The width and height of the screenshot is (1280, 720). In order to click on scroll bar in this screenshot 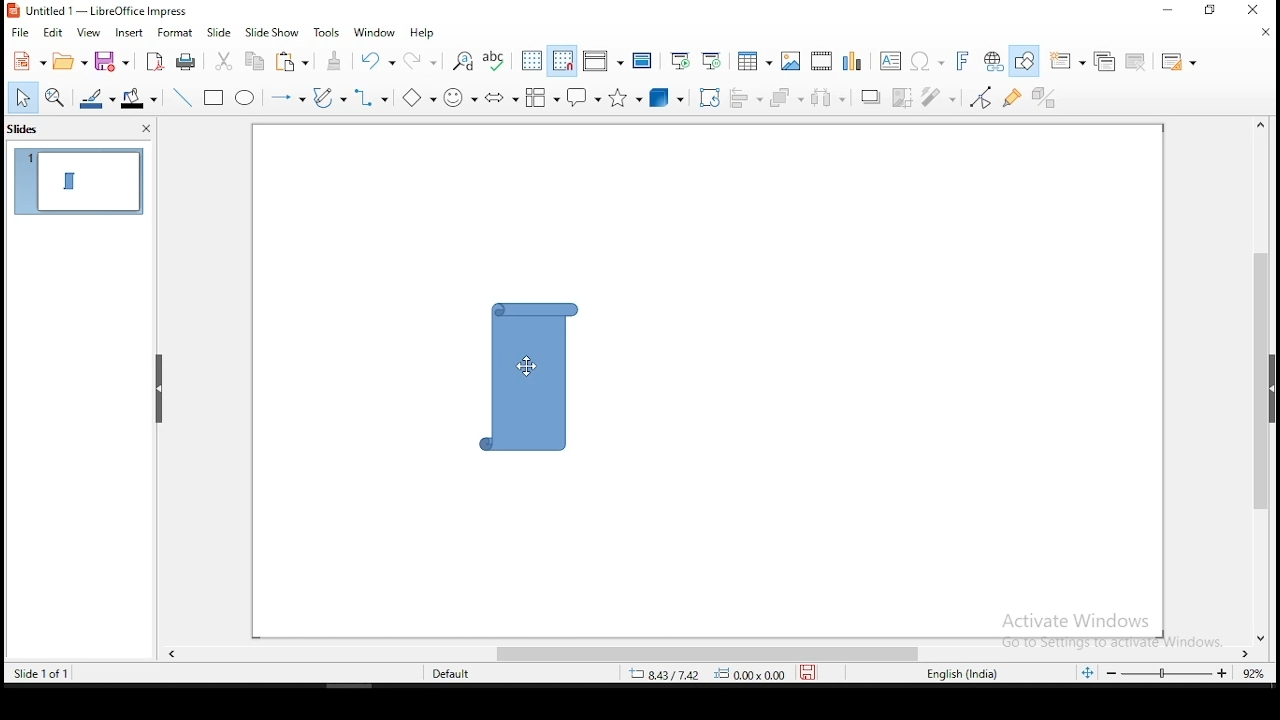, I will do `click(703, 651)`.